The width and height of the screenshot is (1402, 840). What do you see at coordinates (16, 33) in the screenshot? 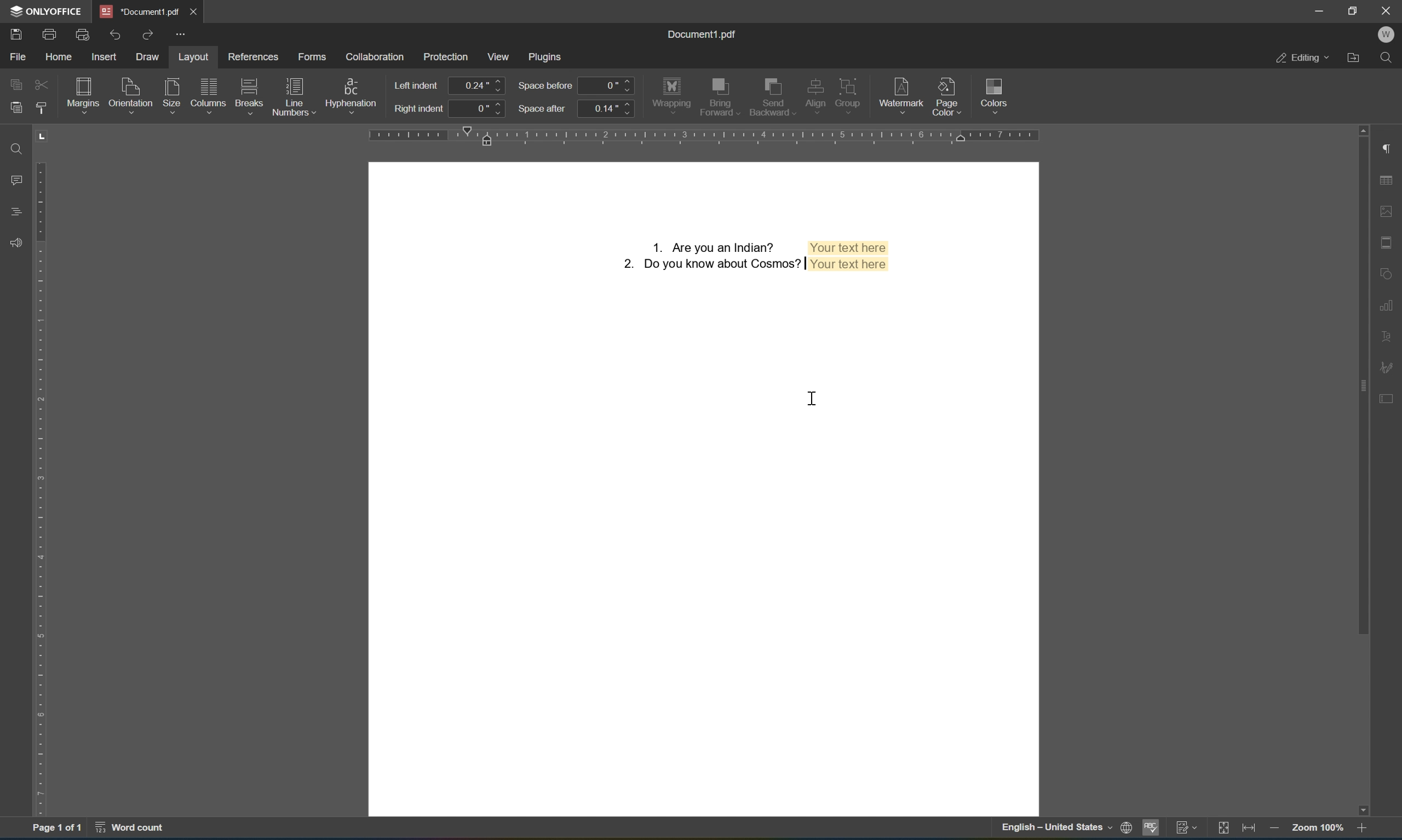
I see `save` at bounding box center [16, 33].